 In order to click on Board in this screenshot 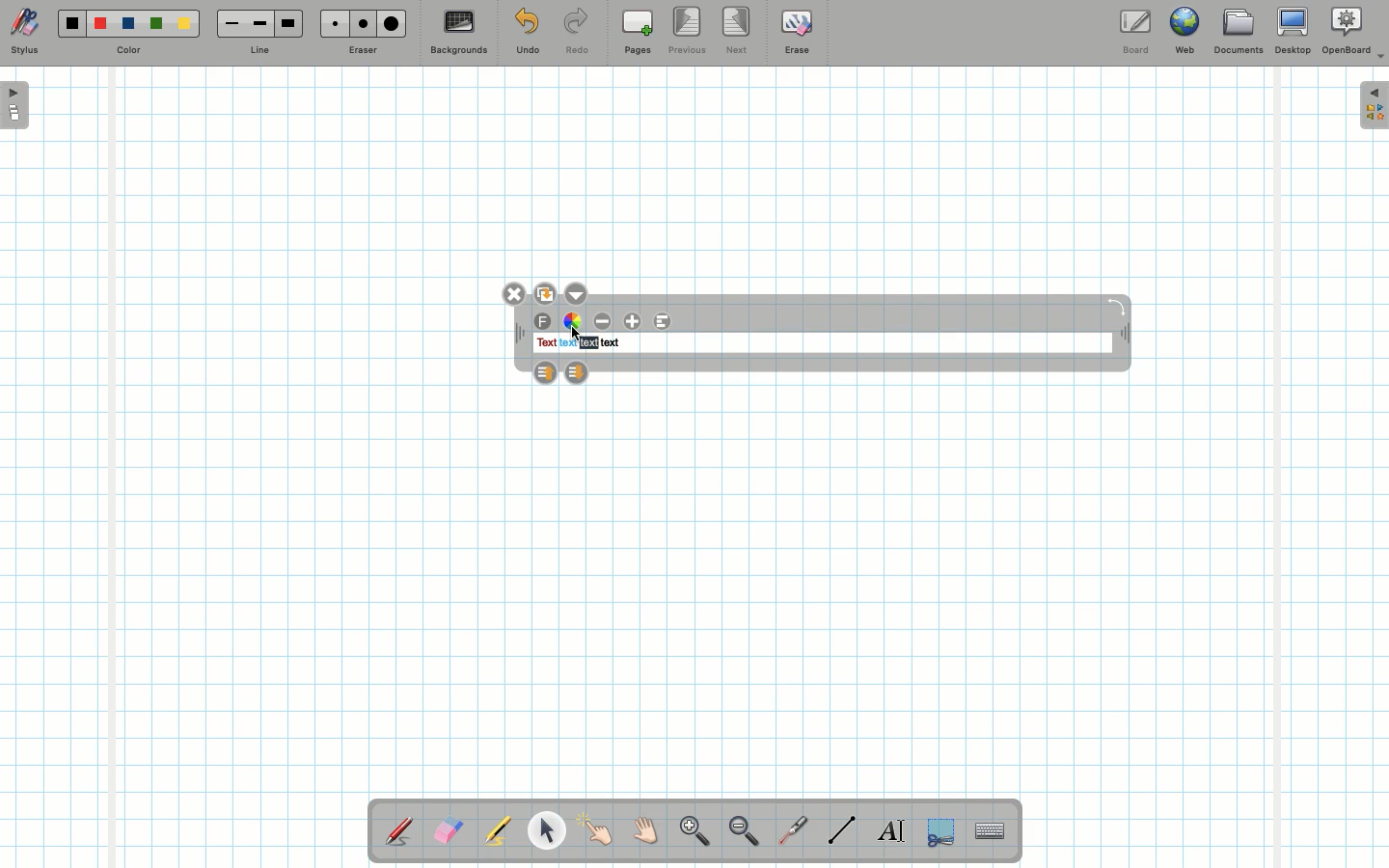, I will do `click(1134, 32)`.